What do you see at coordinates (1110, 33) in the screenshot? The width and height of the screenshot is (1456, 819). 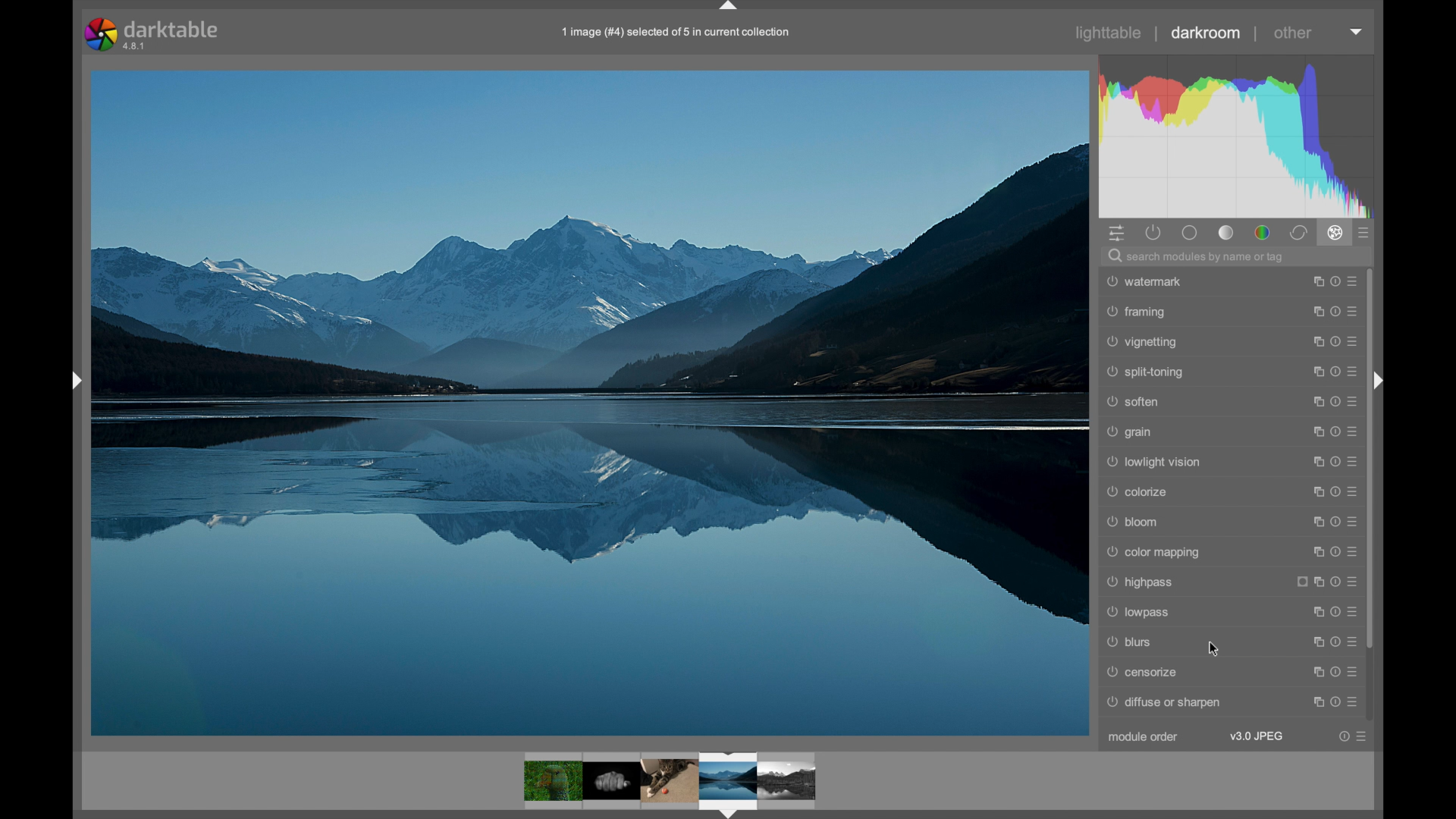 I see `lighttable` at bounding box center [1110, 33].